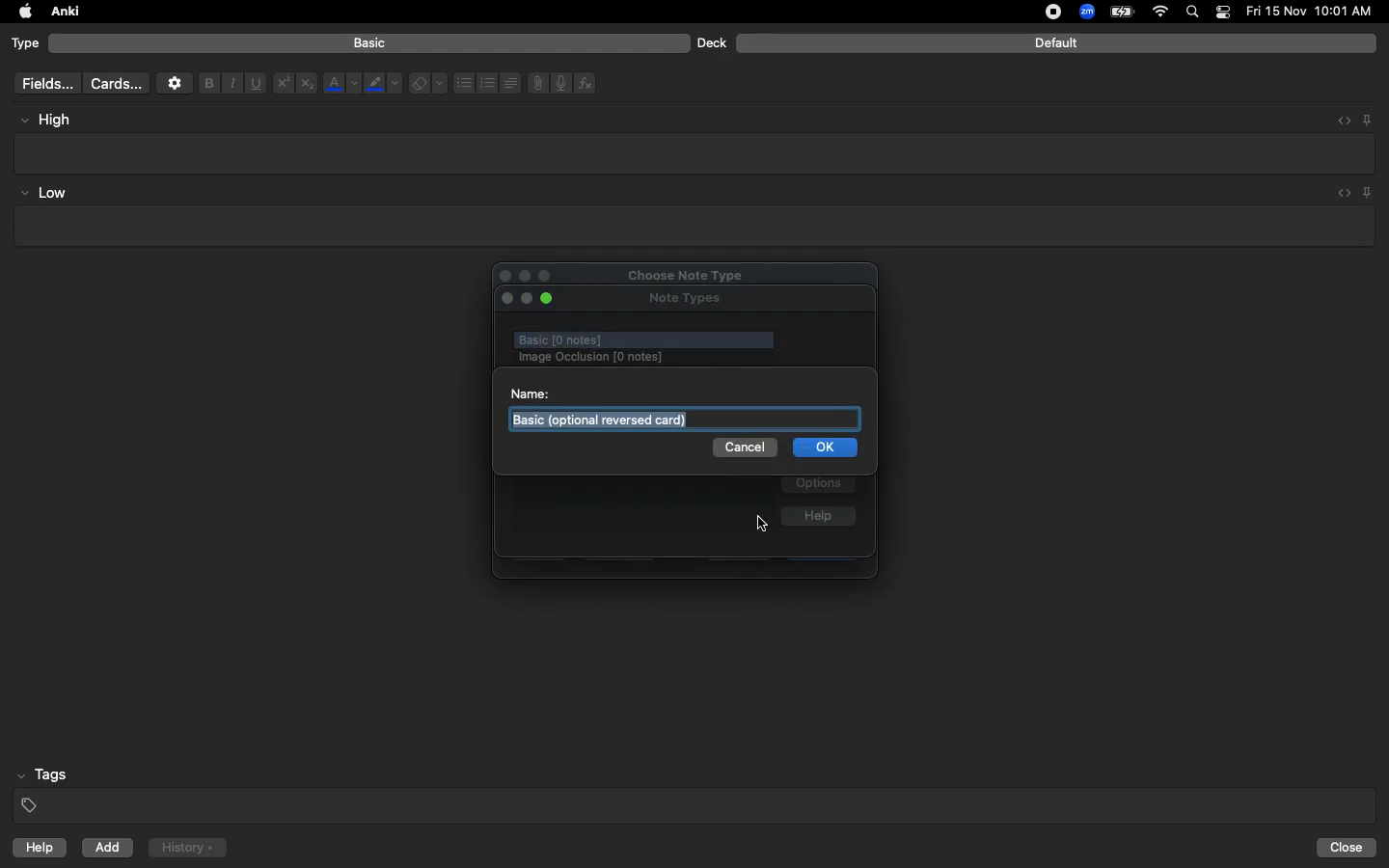 The height and width of the screenshot is (868, 1389). What do you see at coordinates (116, 84) in the screenshot?
I see `Cards` at bounding box center [116, 84].